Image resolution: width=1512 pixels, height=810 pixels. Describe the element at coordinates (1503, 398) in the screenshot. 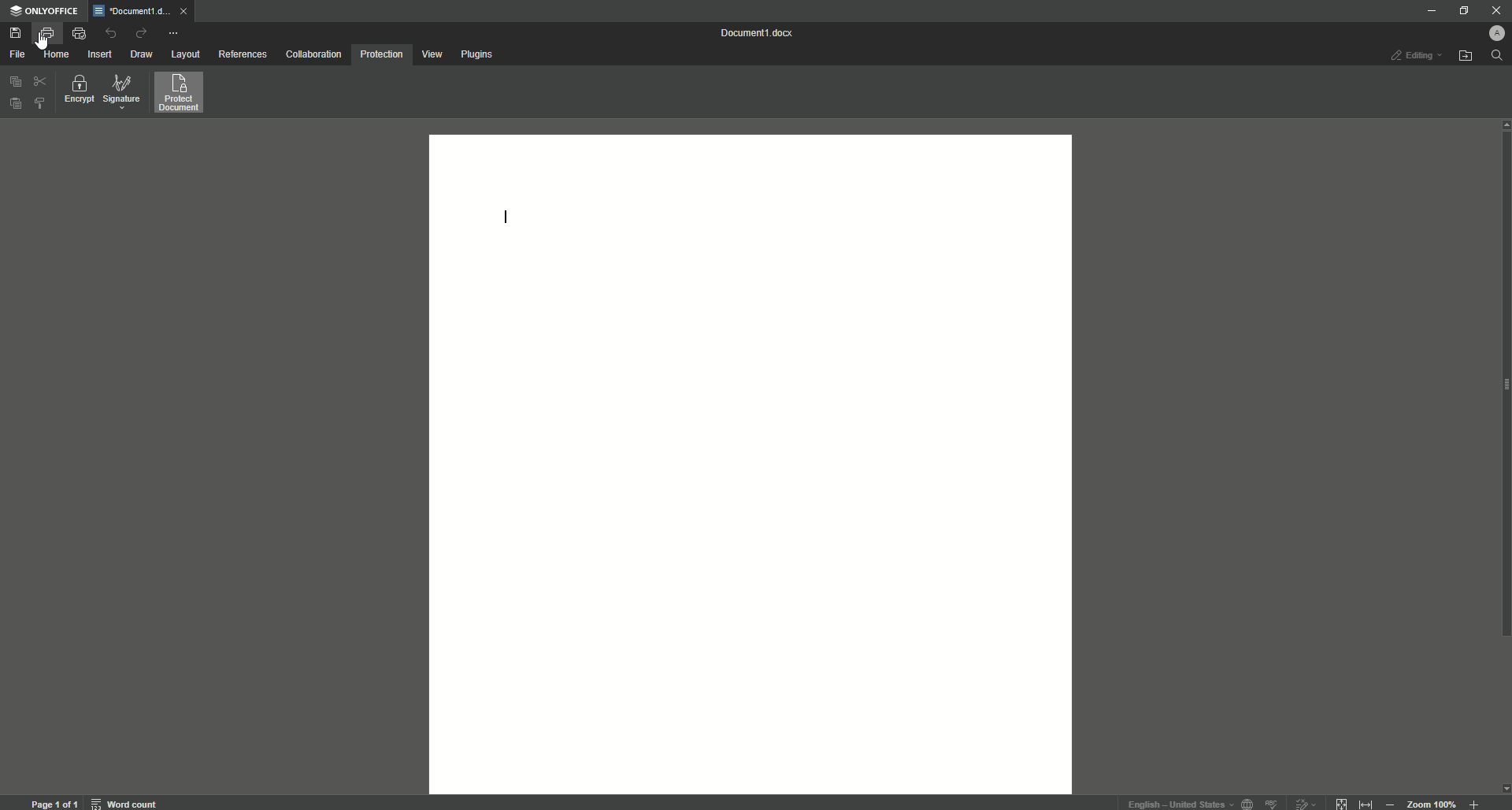

I see `scroll bar` at that location.